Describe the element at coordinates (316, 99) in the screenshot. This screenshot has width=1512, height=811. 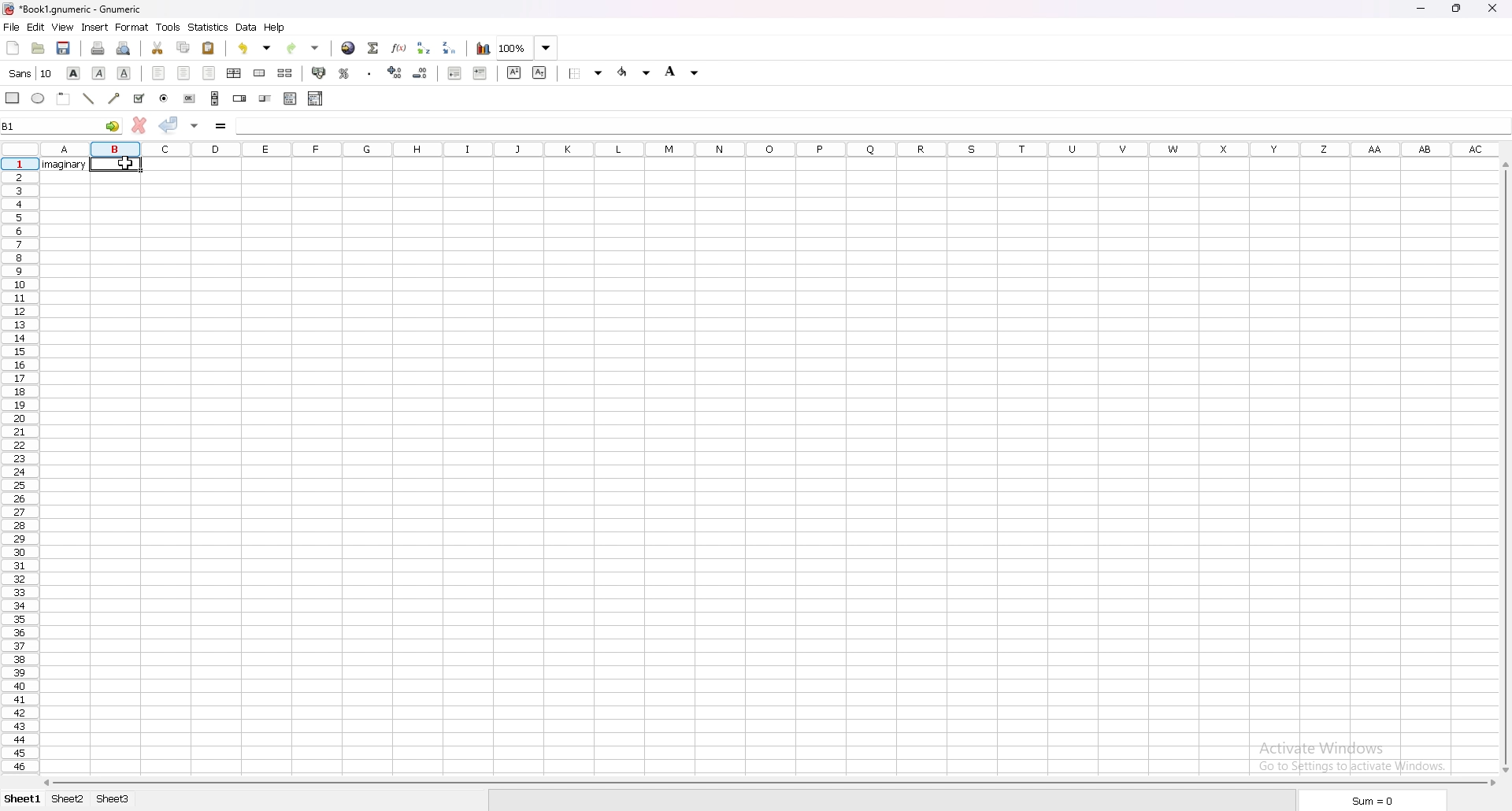
I see `combo box` at that location.